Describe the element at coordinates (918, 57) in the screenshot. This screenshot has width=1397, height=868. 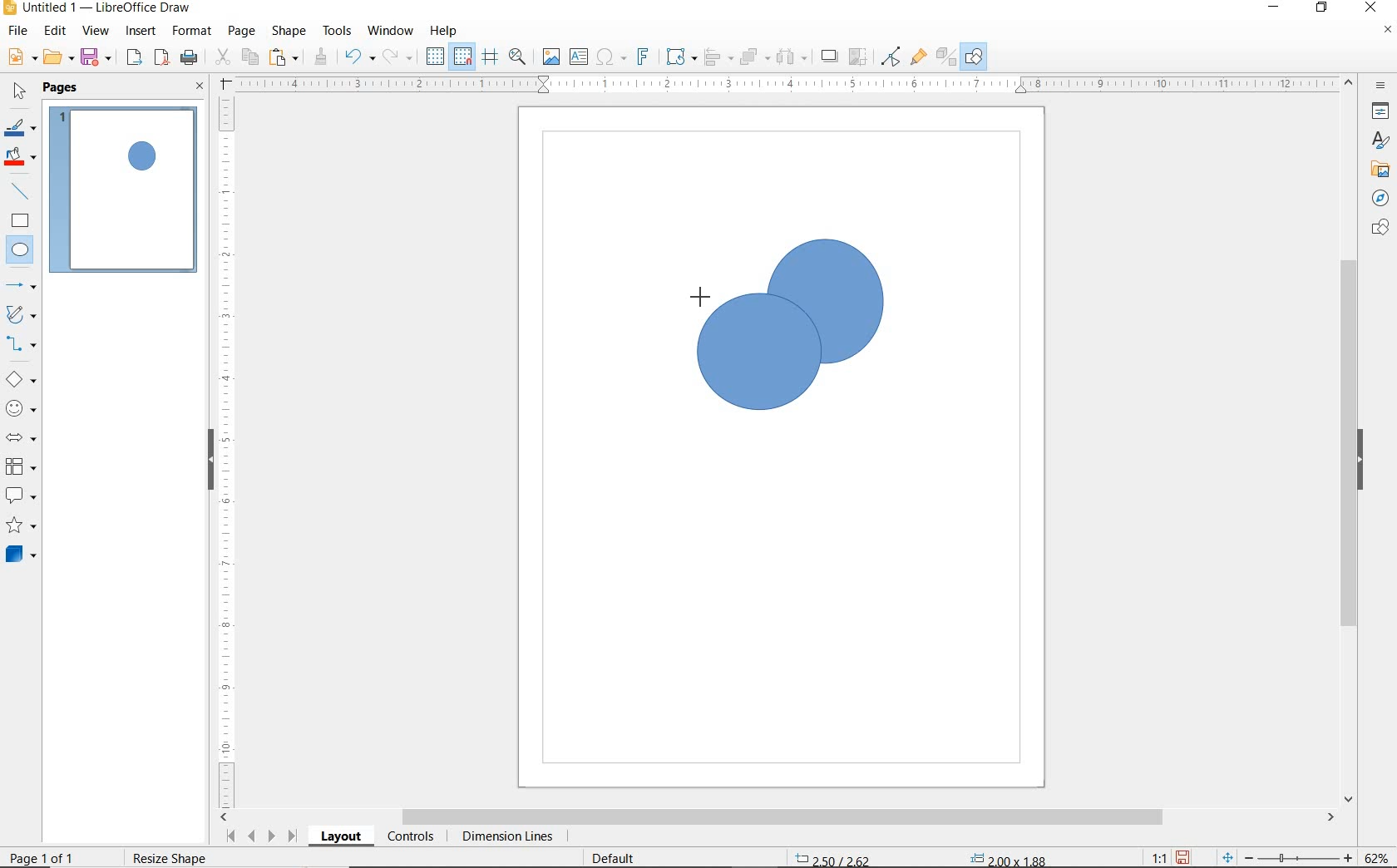
I see `SHOW GLUEPOINT FUNCTIONS` at that location.